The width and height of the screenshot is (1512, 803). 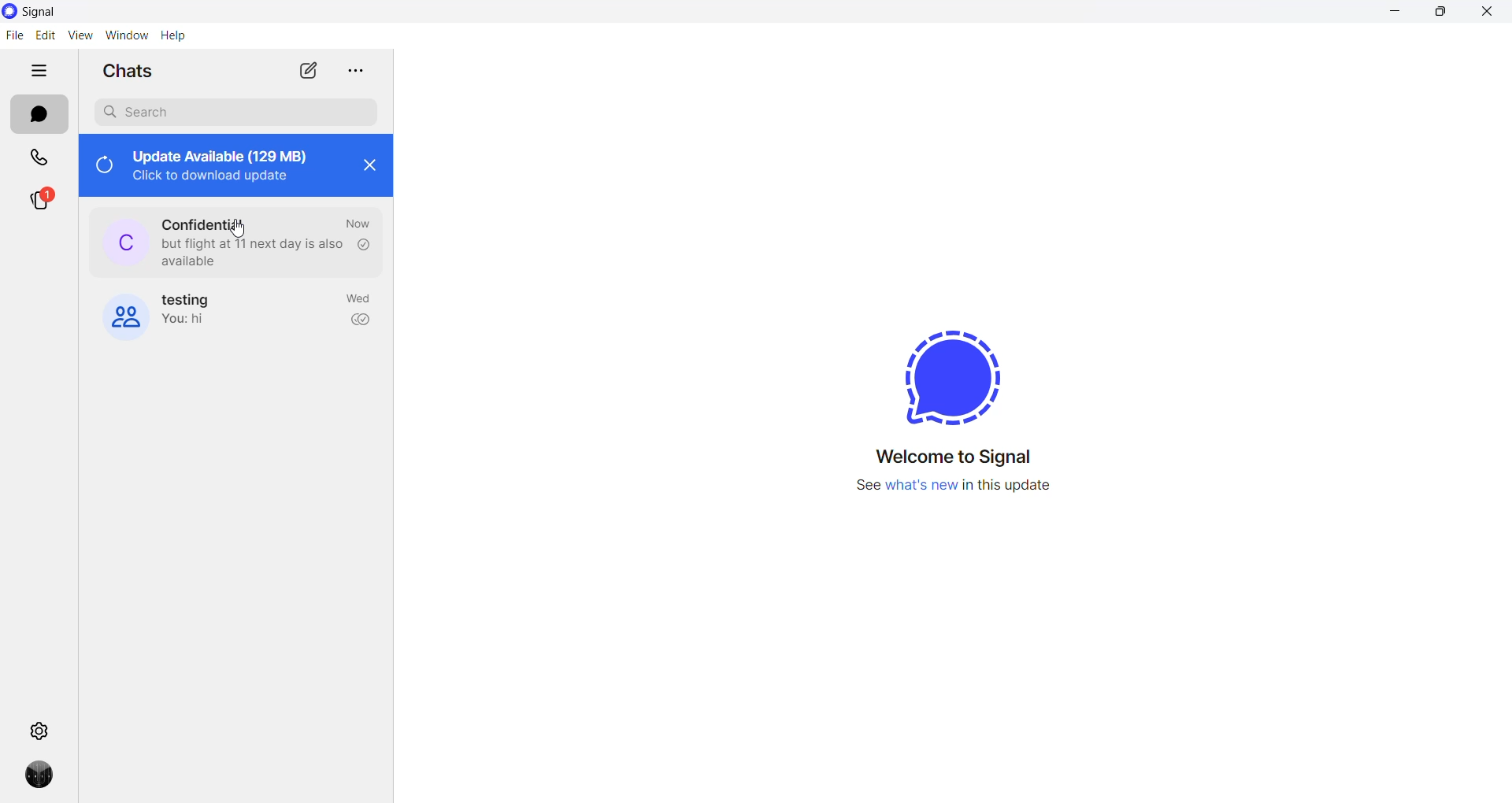 I want to click on hide tabs, so click(x=39, y=72).